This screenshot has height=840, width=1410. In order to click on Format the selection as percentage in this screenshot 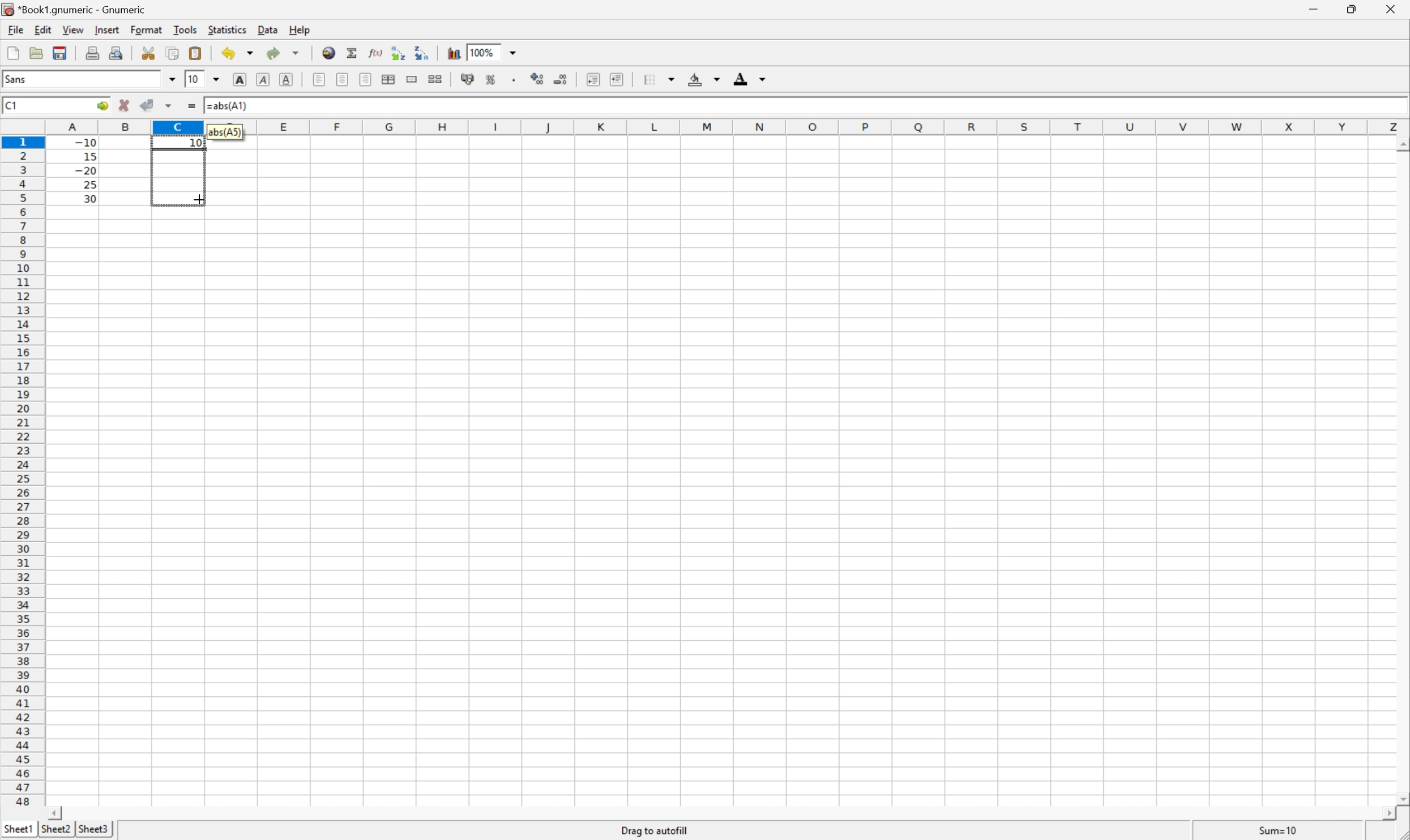, I will do `click(492, 82)`.